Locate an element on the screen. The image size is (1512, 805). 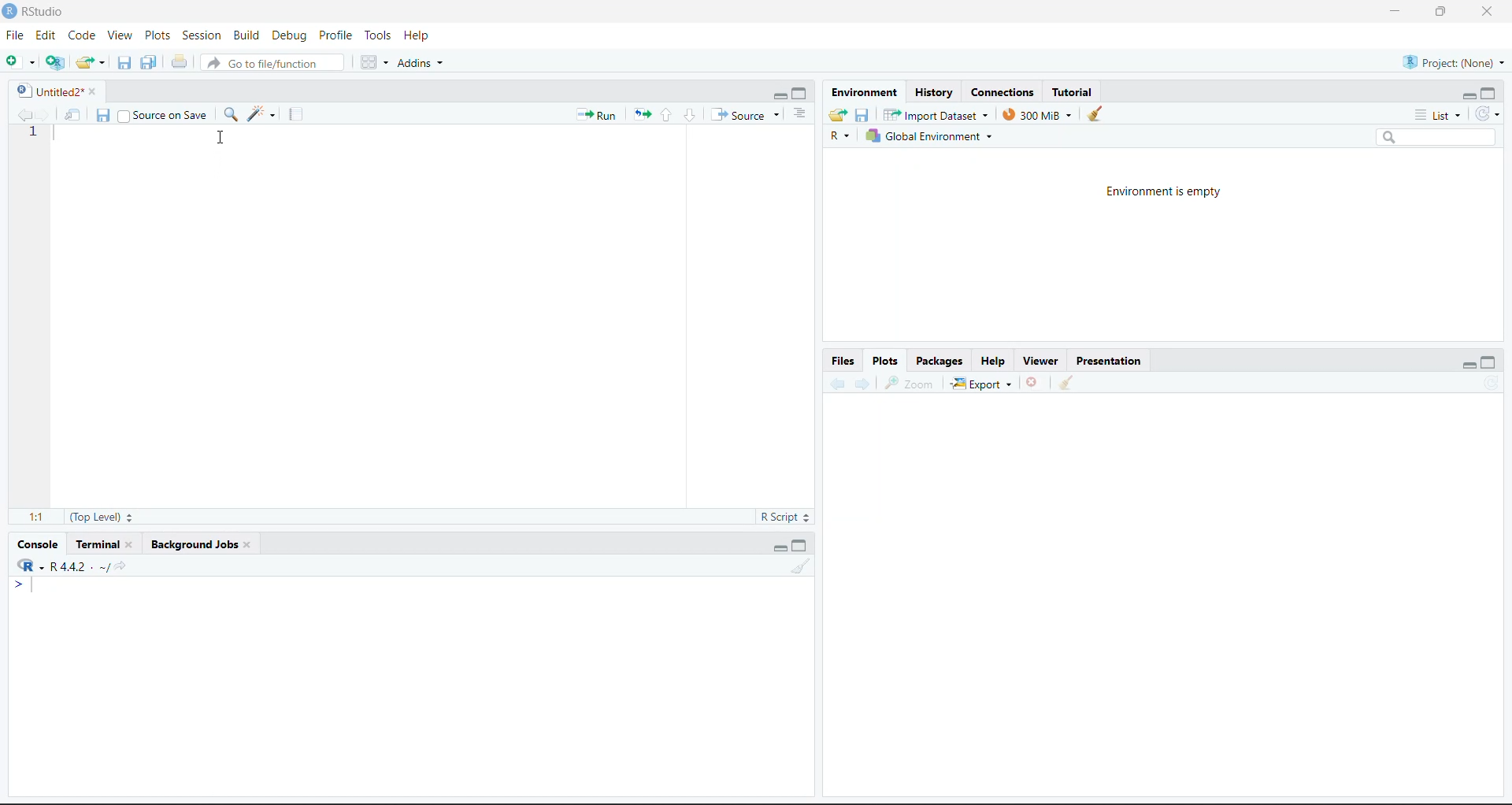
1:1 is located at coordinates (35, 517).